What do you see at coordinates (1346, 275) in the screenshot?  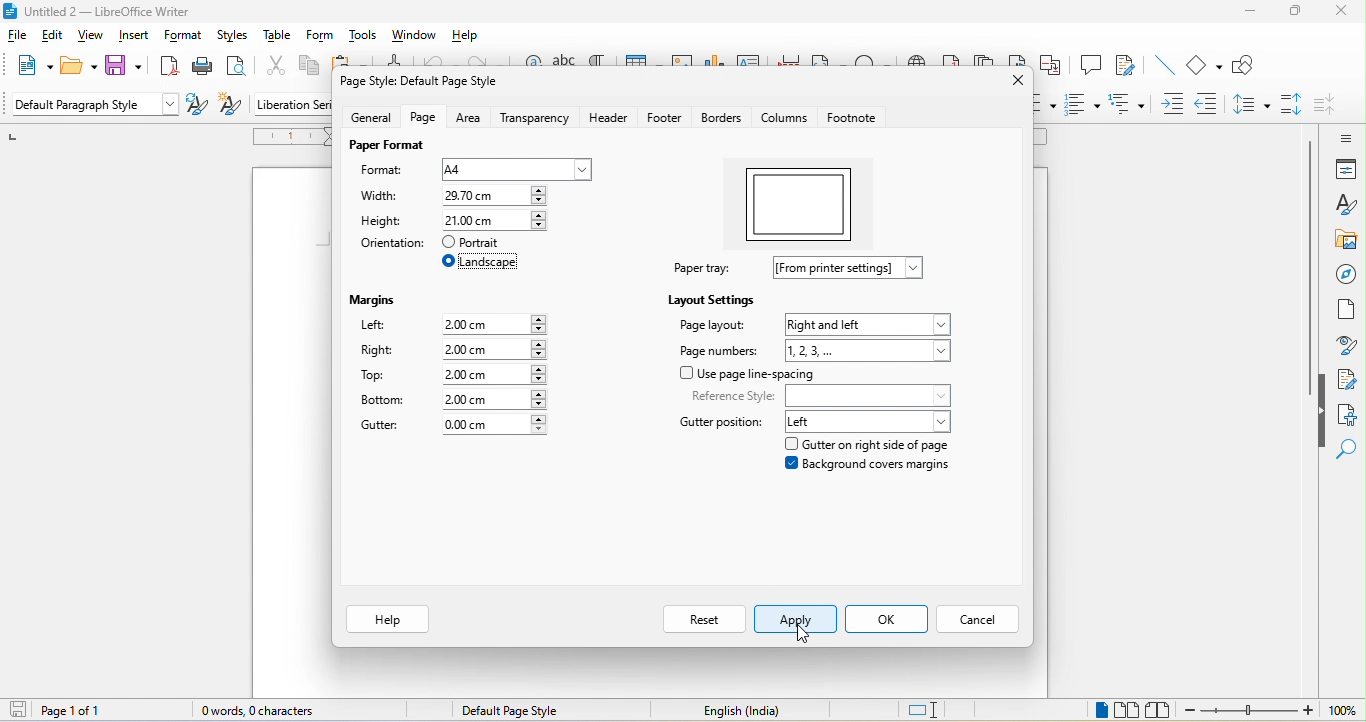 I see `navigator` at bounding box center [1346, 275].